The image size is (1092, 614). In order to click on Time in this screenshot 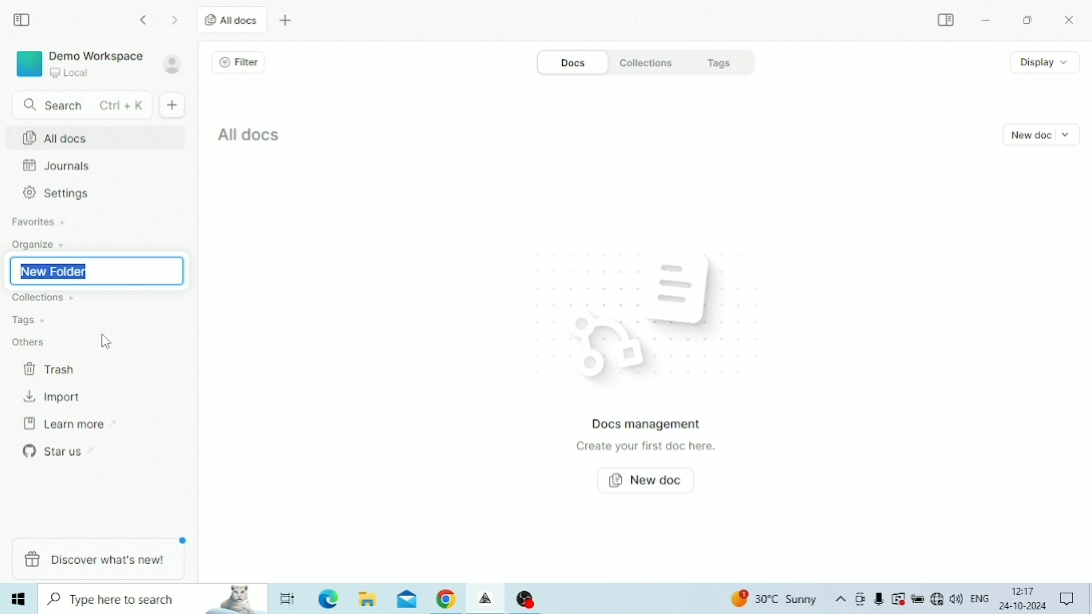, I will do `click(1024, 590)`.